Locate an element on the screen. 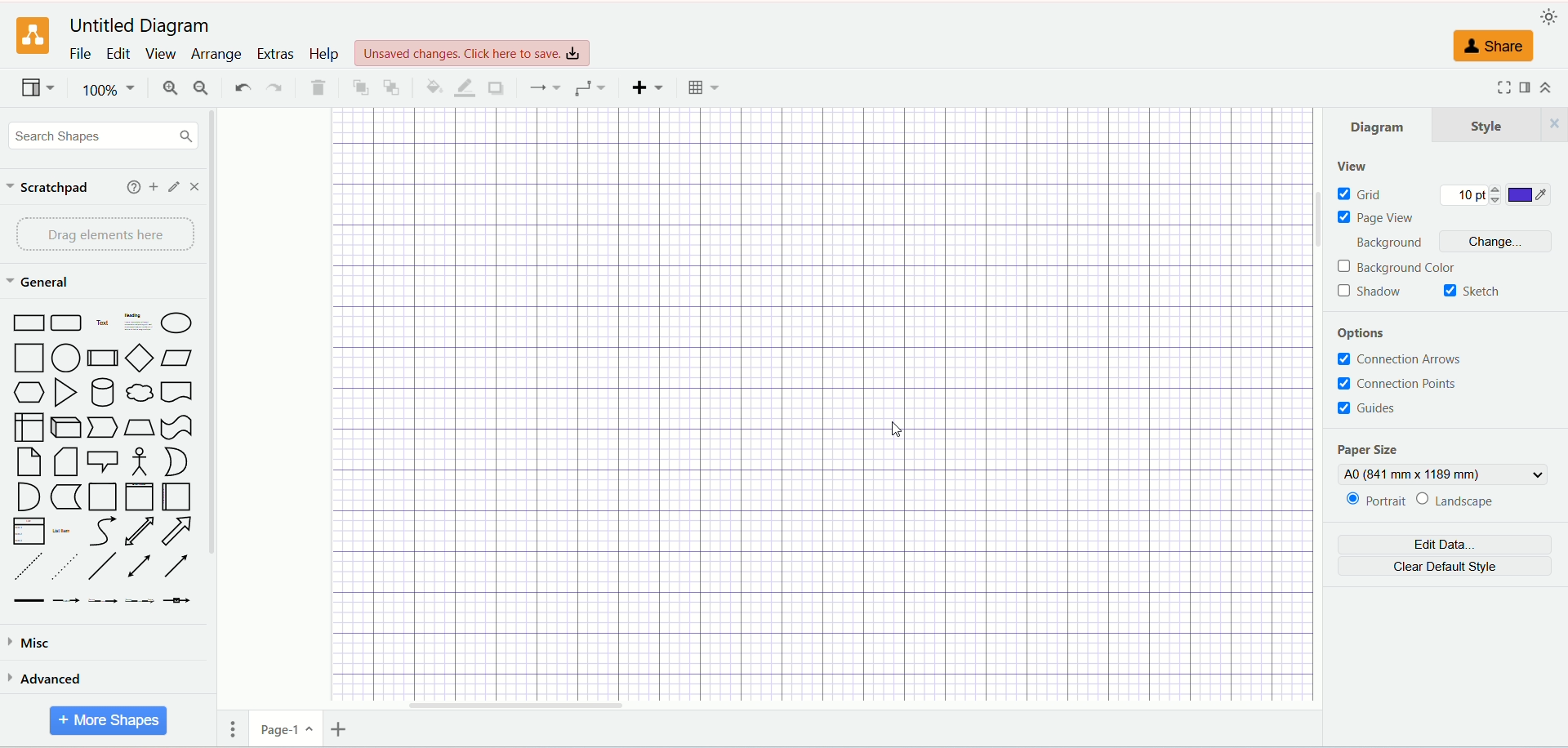 Image resolution: width=1568 pixels, height=748 pixels. Link is located at coordinates (29, 601).